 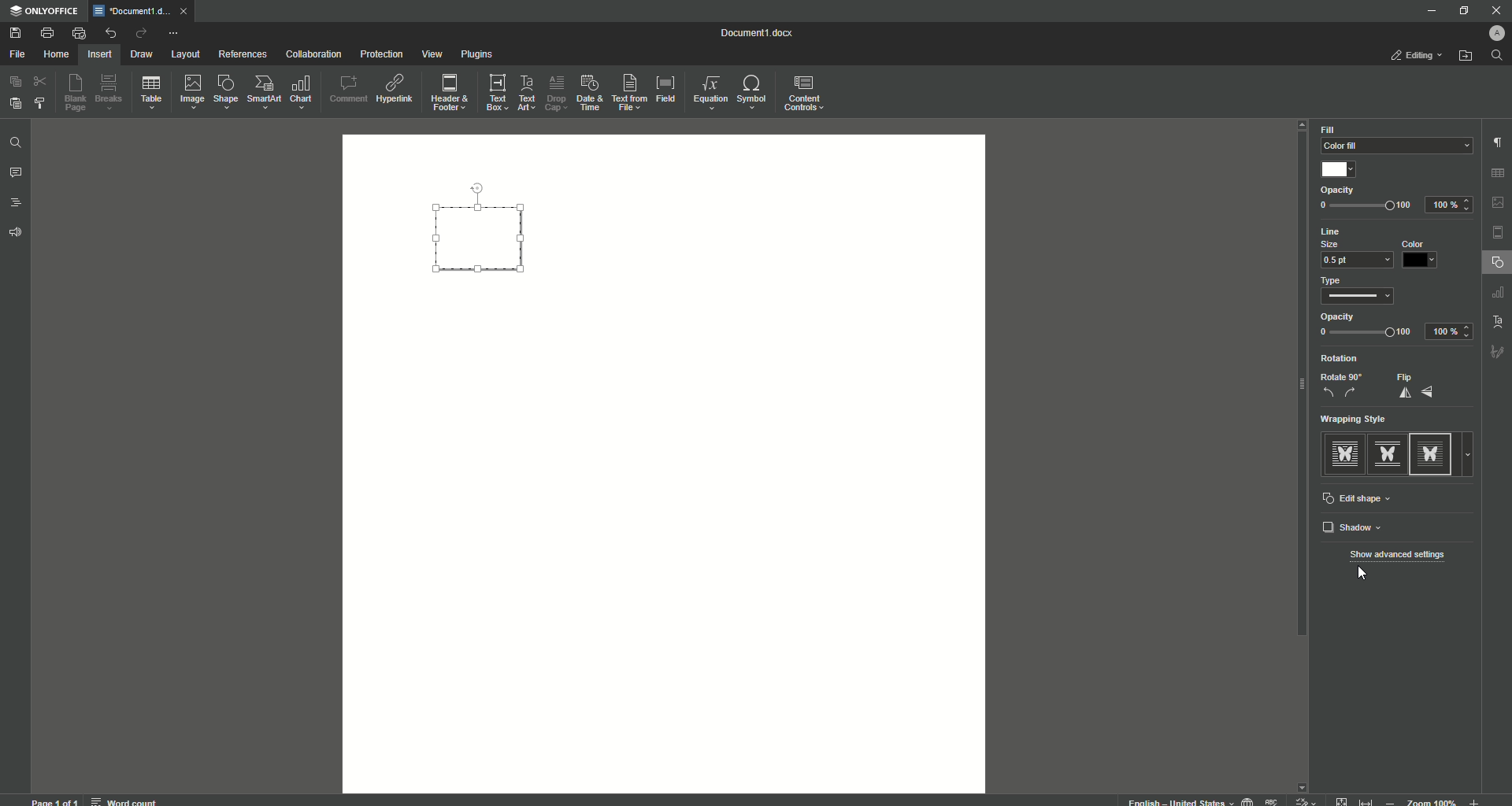 I want to click on page 1 of 1, so click(x=55, y=800).